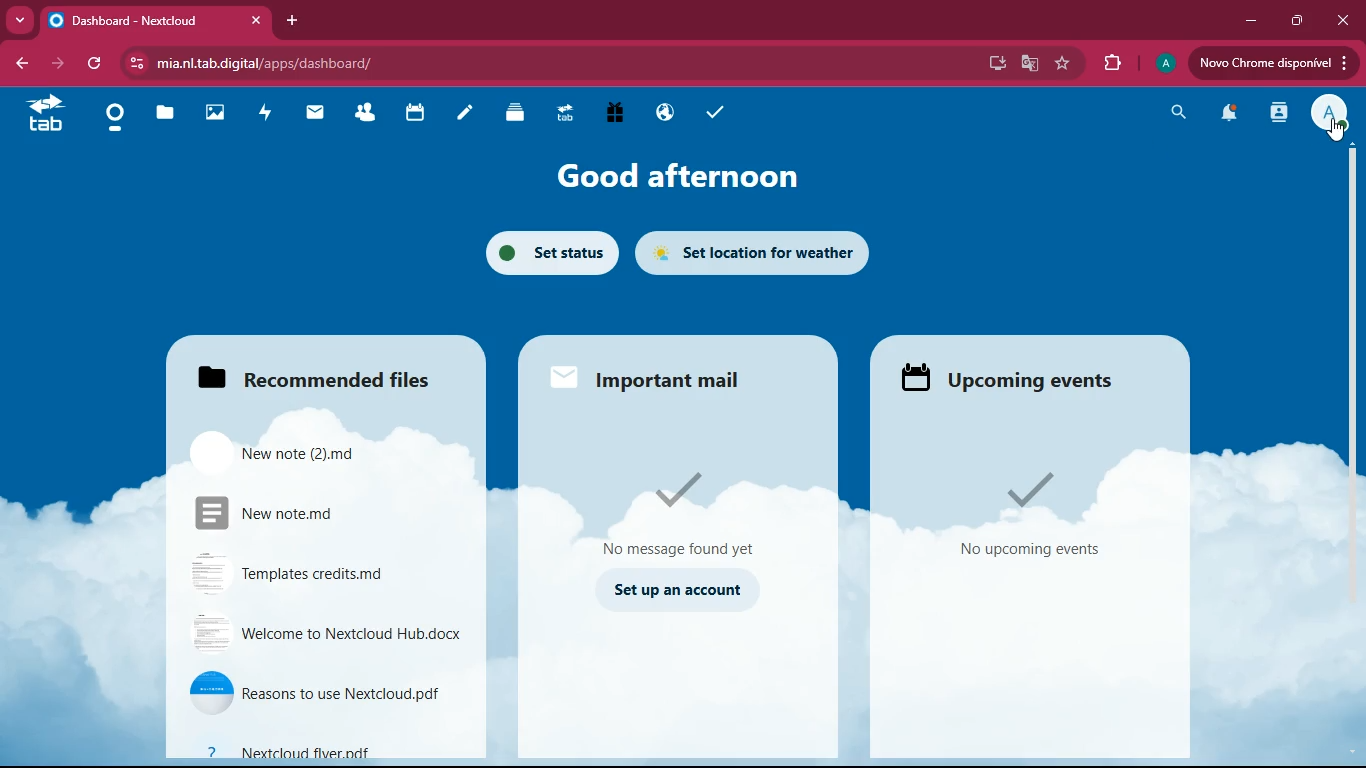  I want to click on file, so click(325, 633).